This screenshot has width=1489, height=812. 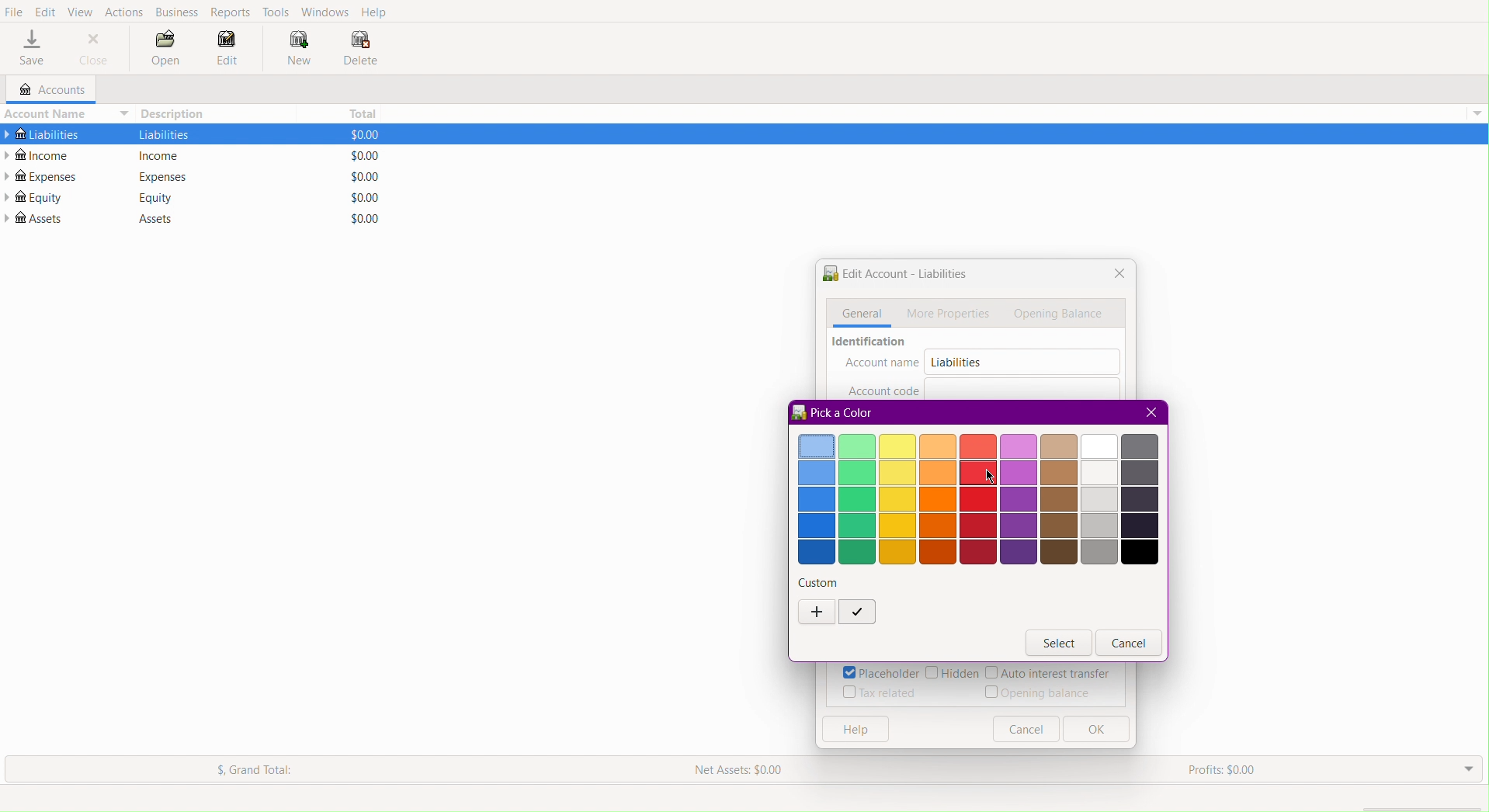 What do you see at coordinates (1049, 674) in the screenshot?
I see `Auto interest transfer` at bounding box center [1049, 674].